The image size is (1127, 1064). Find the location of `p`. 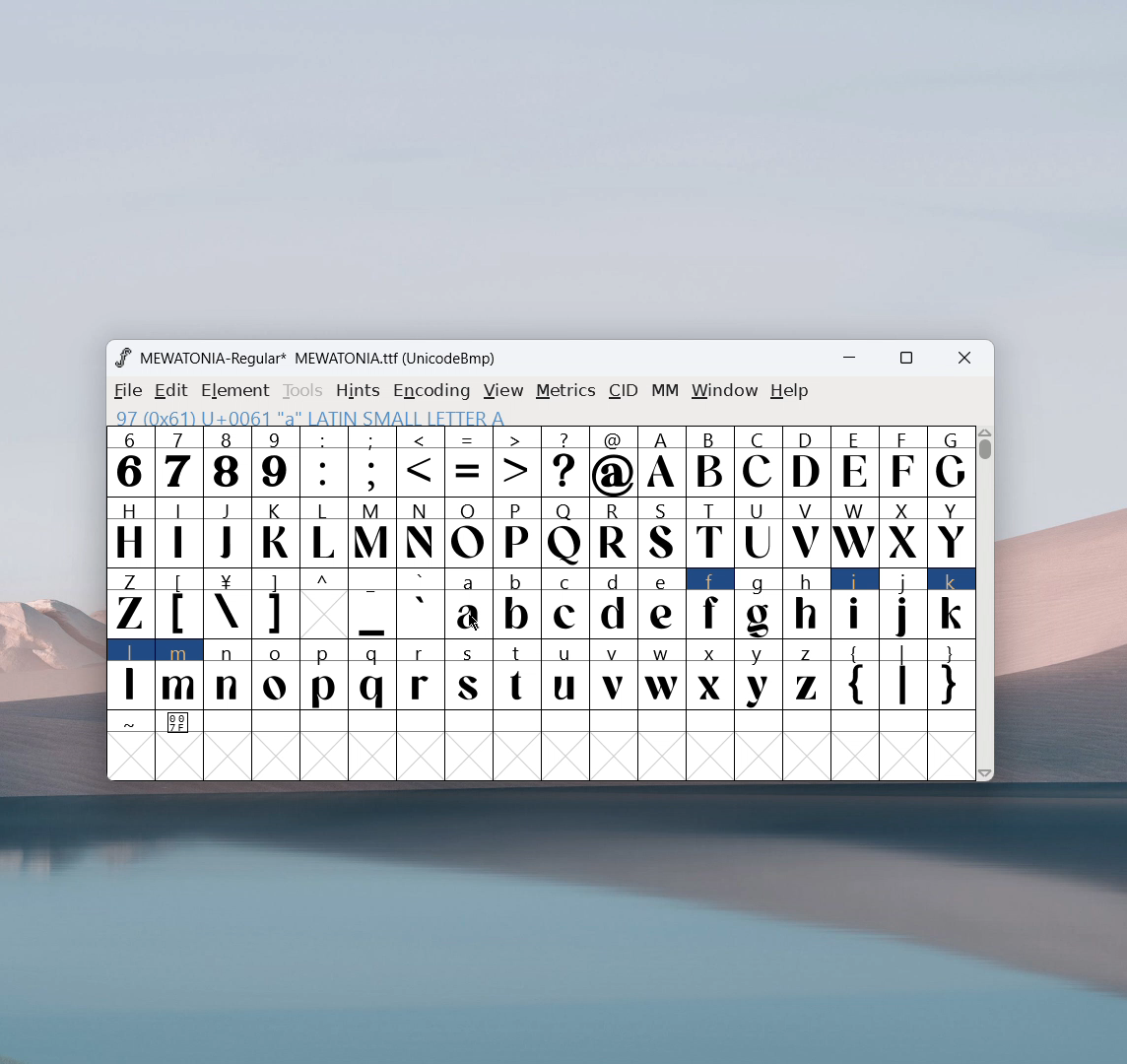

p is located at coordinates (326, 676).